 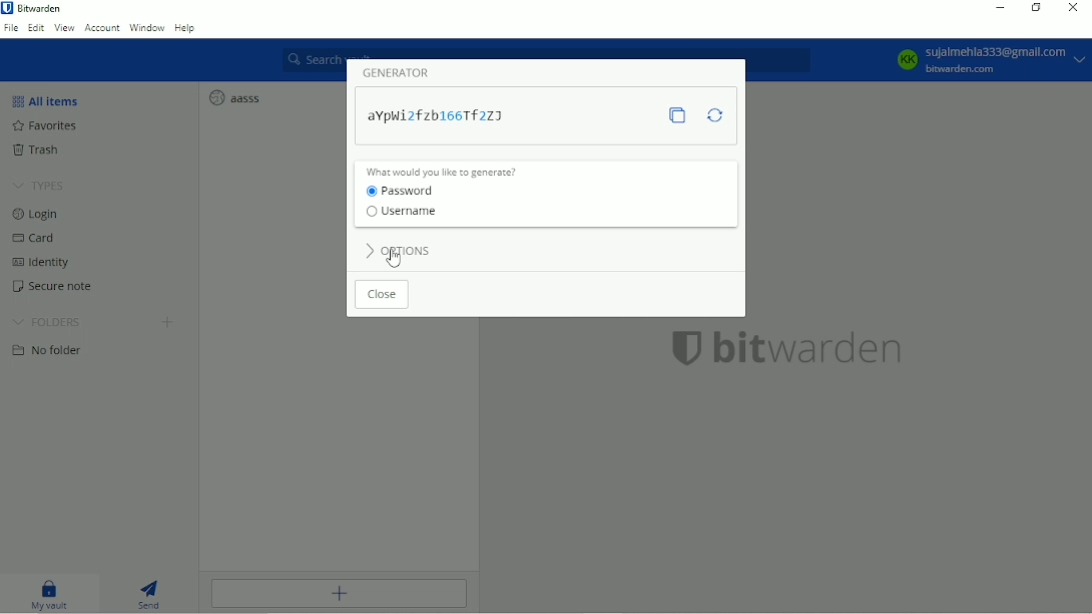 I want to click on Close, so click(x=1073, y=8).